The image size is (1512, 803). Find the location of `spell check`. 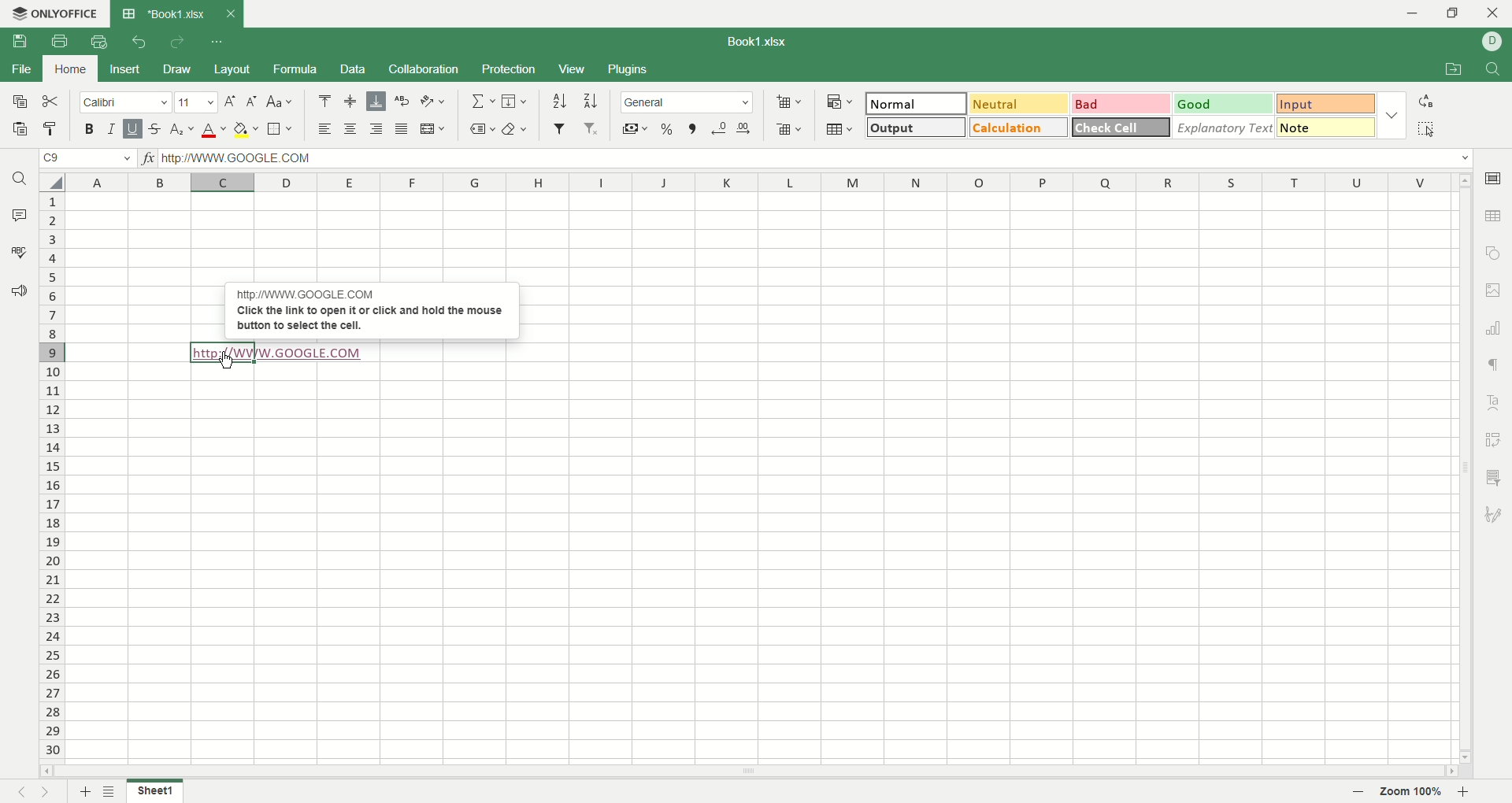

spell check is located at coordinates (18, 251).